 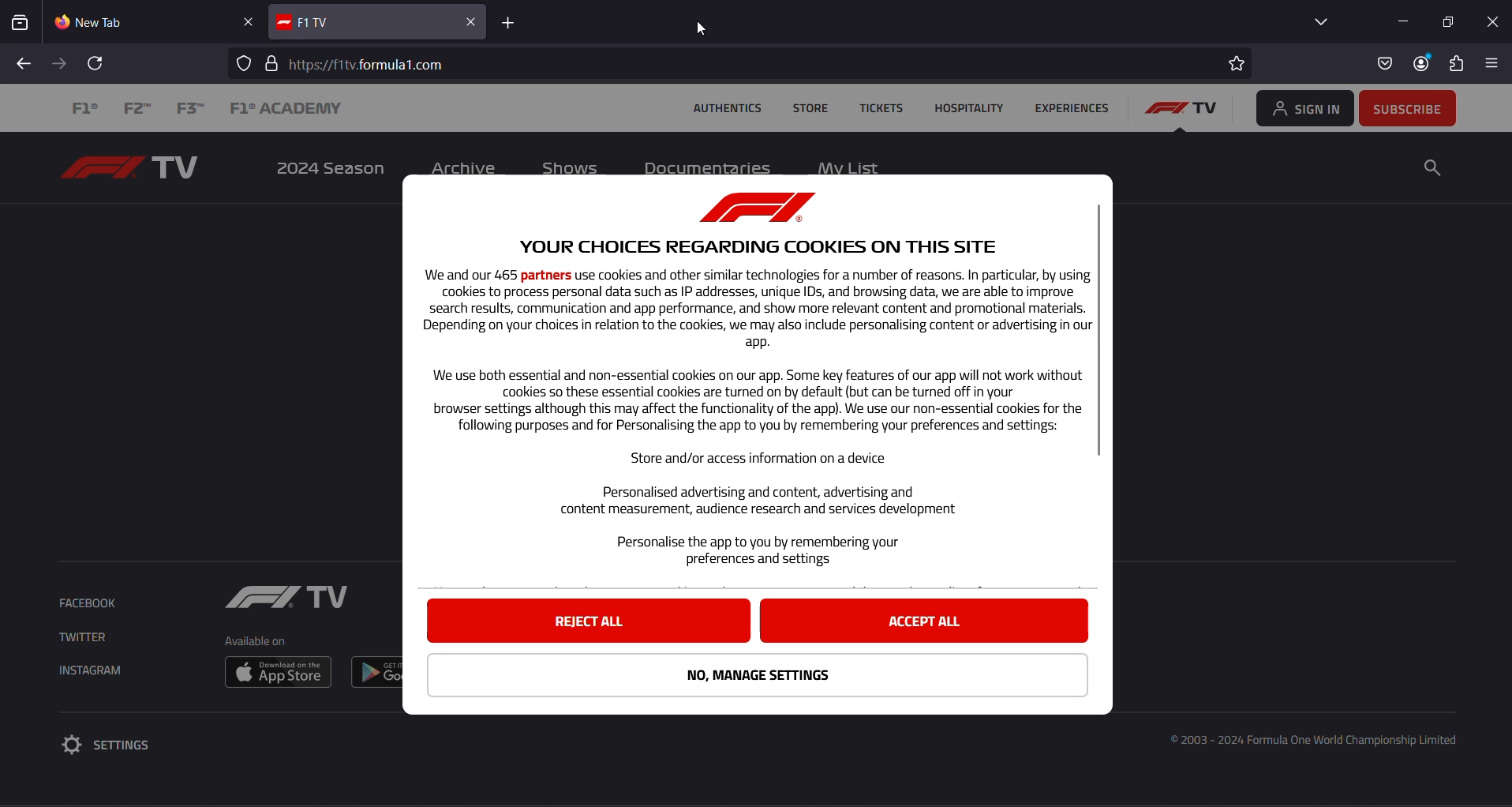 What do you see at coordinates (379, 671) in the screenshot?
I see `get it from google play` at bounding box center [379, 671].